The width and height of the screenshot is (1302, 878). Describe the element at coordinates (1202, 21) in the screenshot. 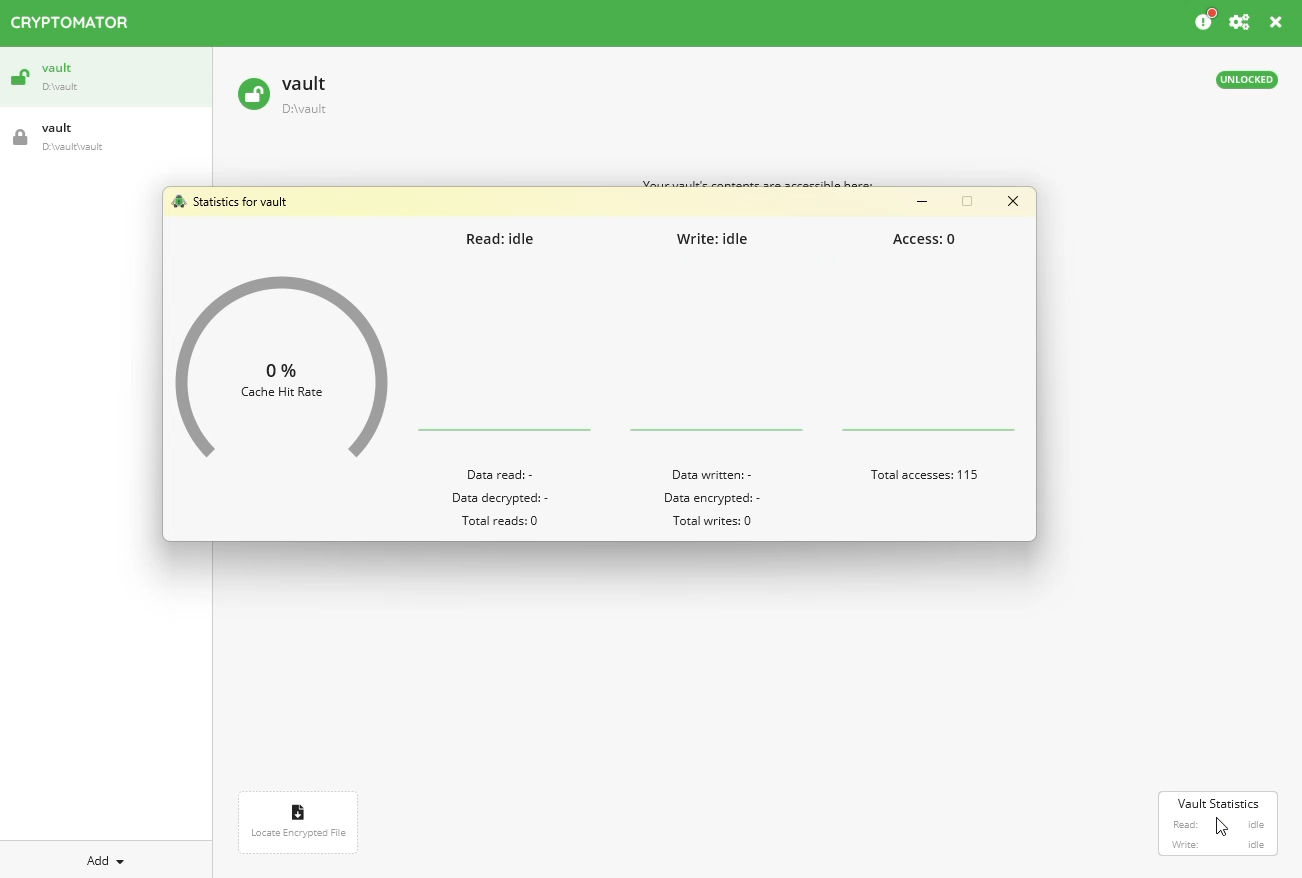

I see `info` at that location.